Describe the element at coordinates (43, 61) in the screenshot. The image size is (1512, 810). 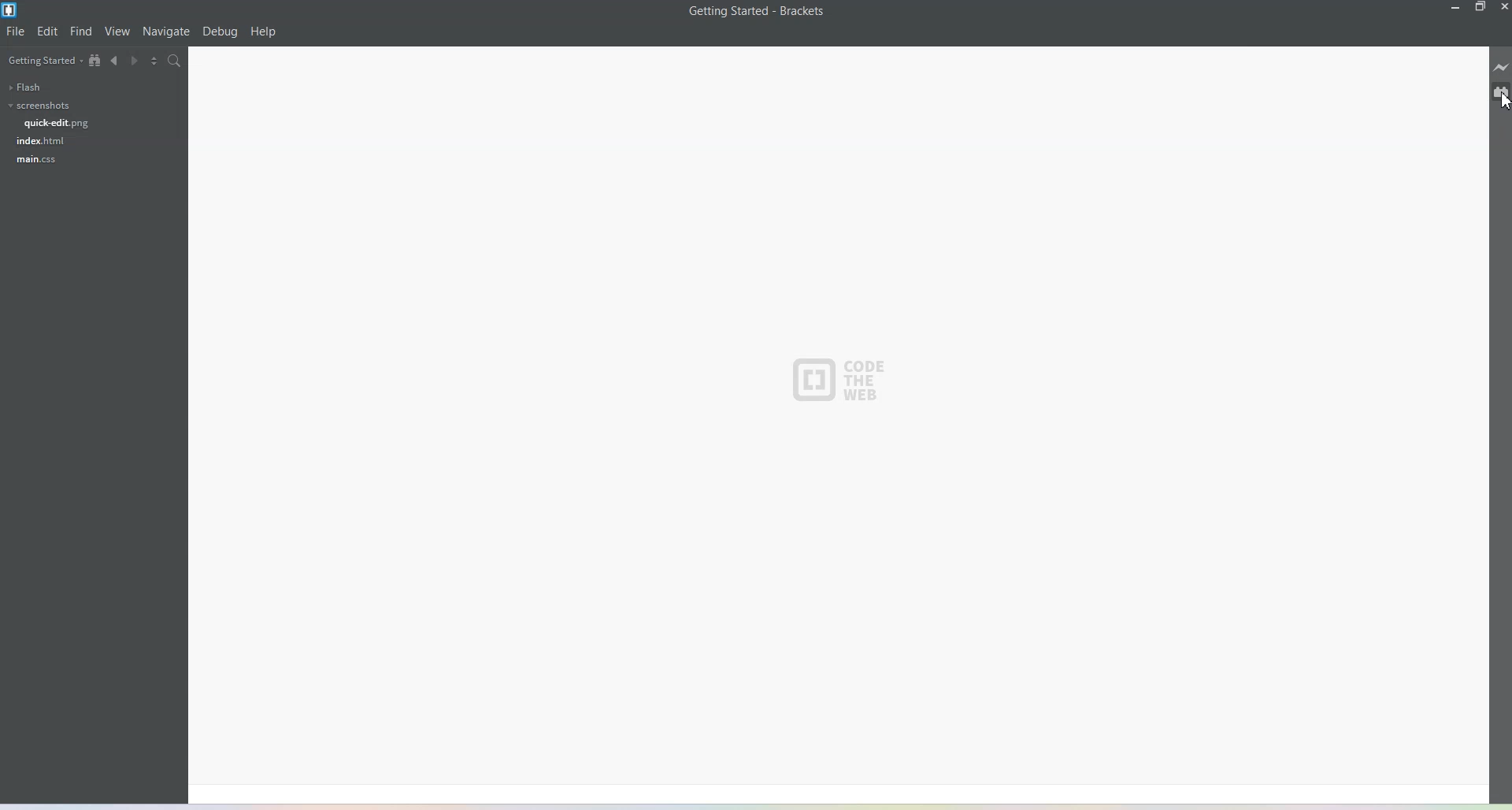
I see `Getting Started` at that location.